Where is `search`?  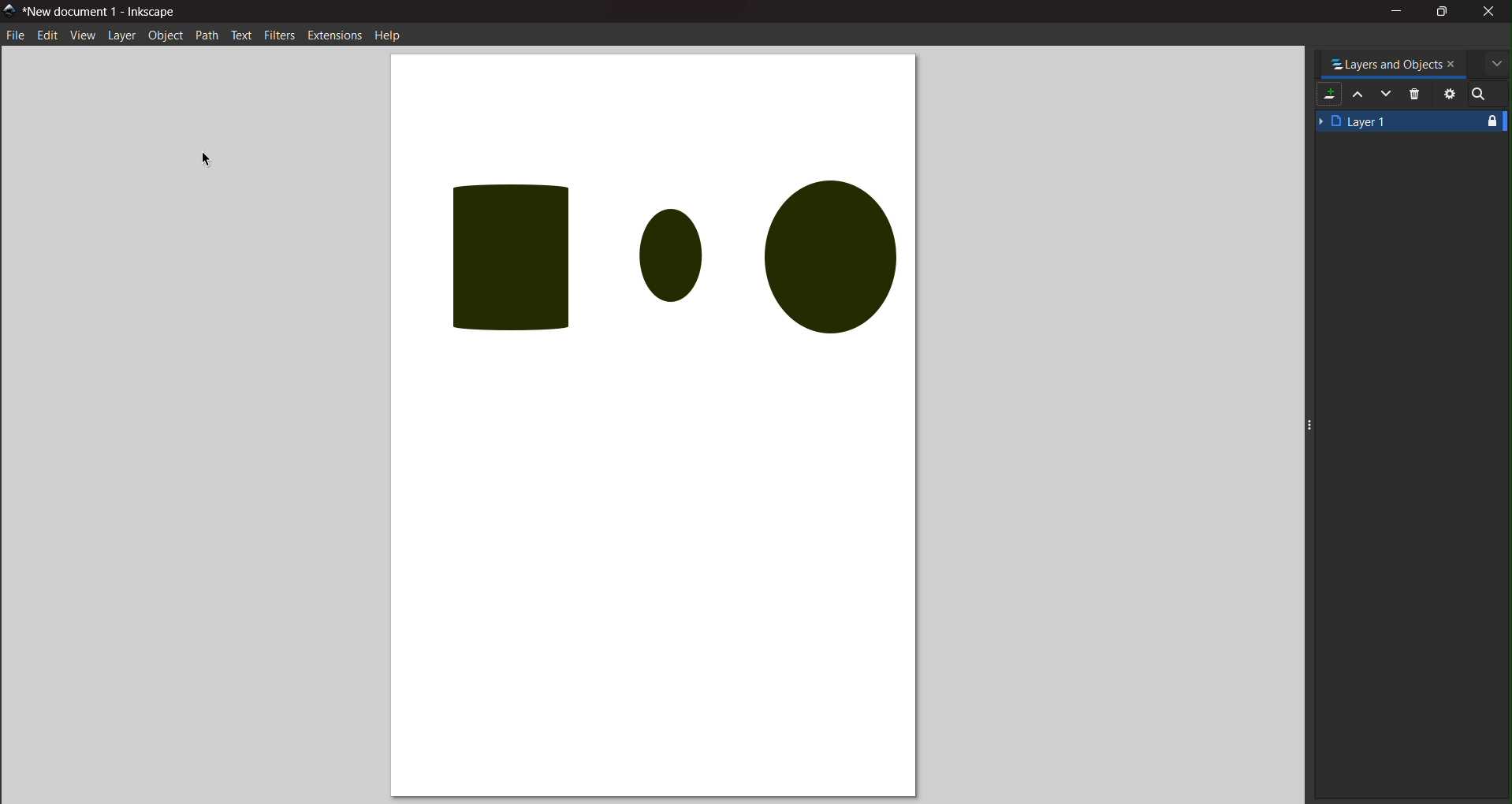 search is located at coordinates (1481, 94).